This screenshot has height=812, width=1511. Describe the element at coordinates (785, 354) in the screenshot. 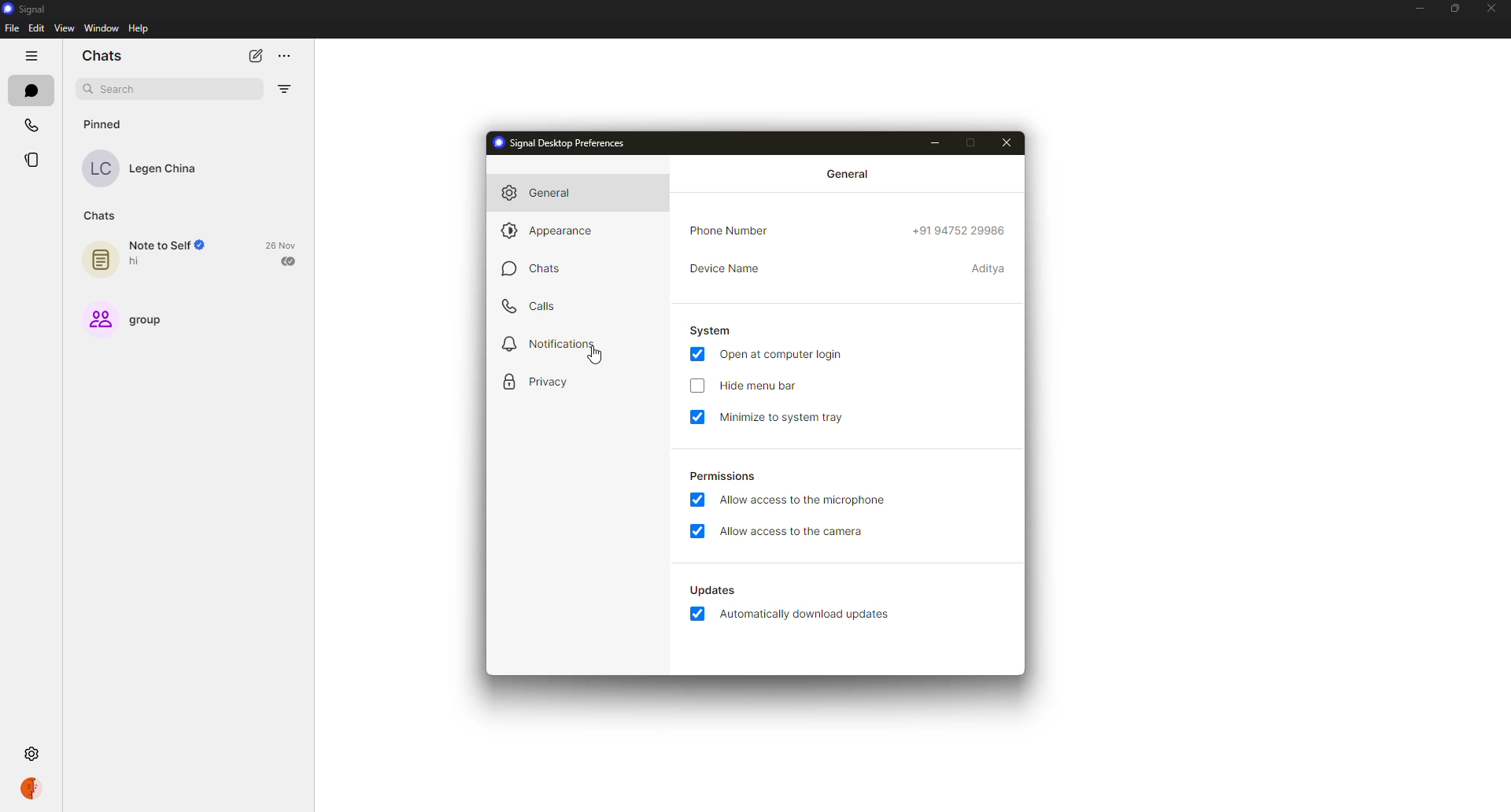

I see `open at login` at that location.